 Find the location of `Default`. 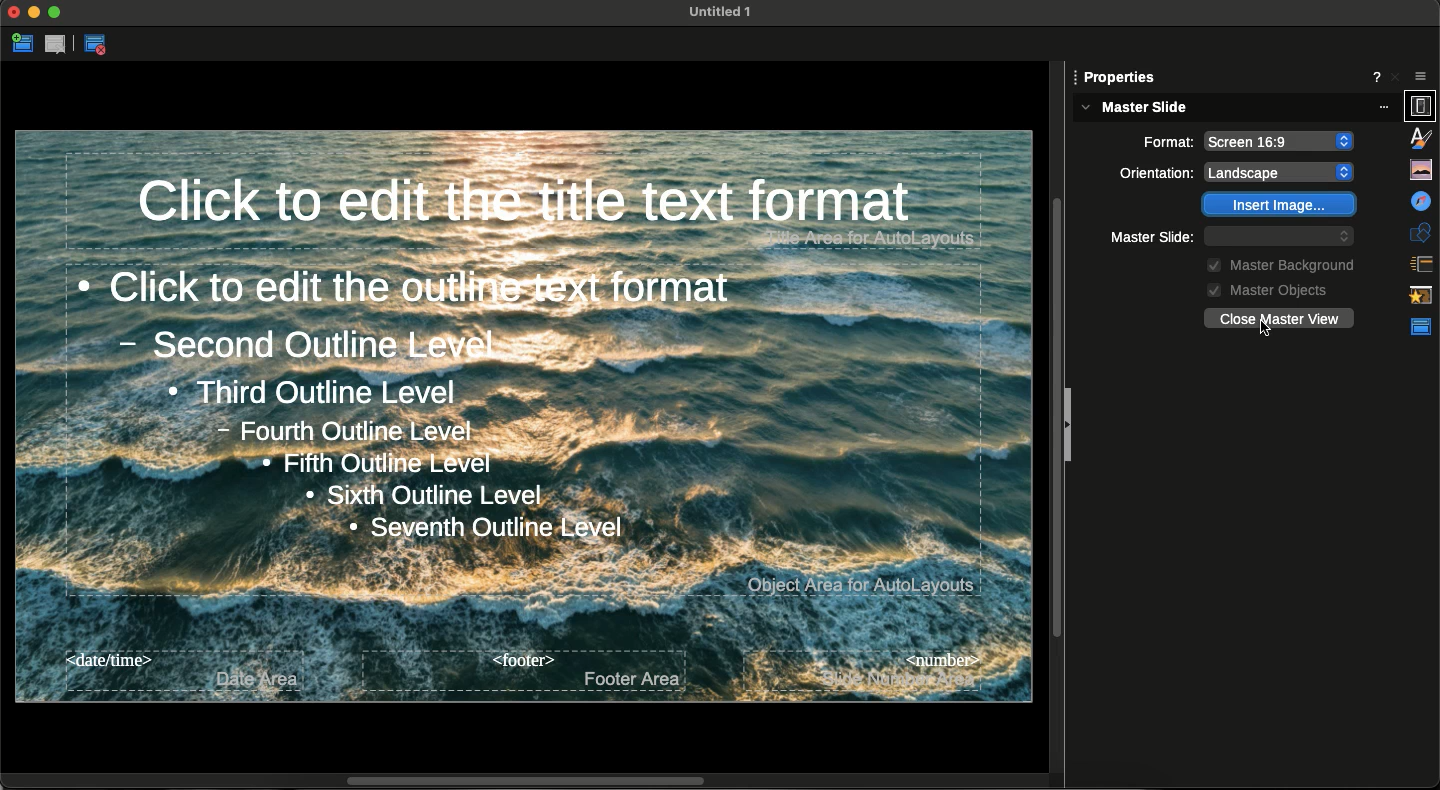

Default is located at coordinates (1280, 236).